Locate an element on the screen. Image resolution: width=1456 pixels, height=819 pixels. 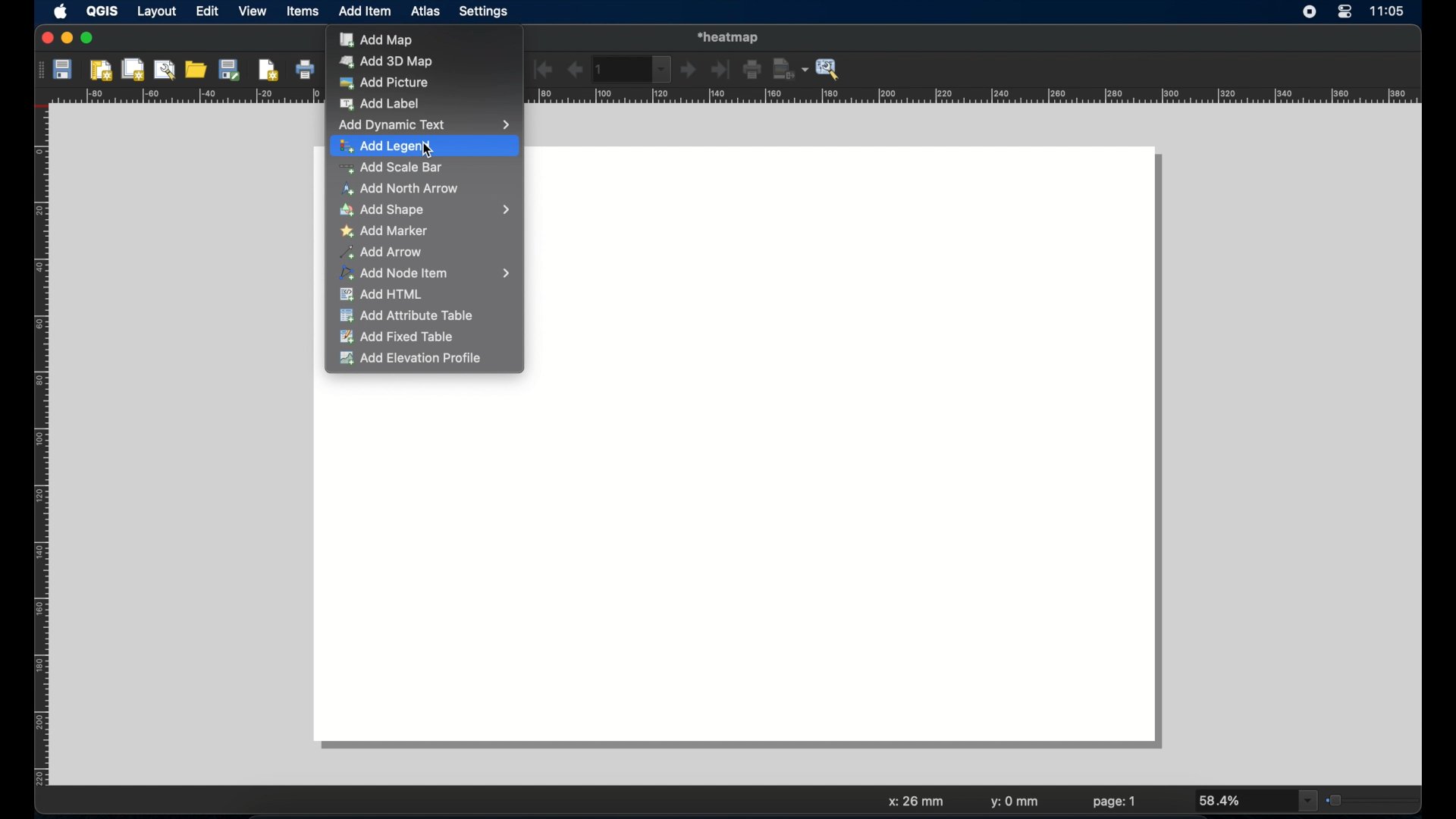
add shape menu is located at coordinates (425, 210).